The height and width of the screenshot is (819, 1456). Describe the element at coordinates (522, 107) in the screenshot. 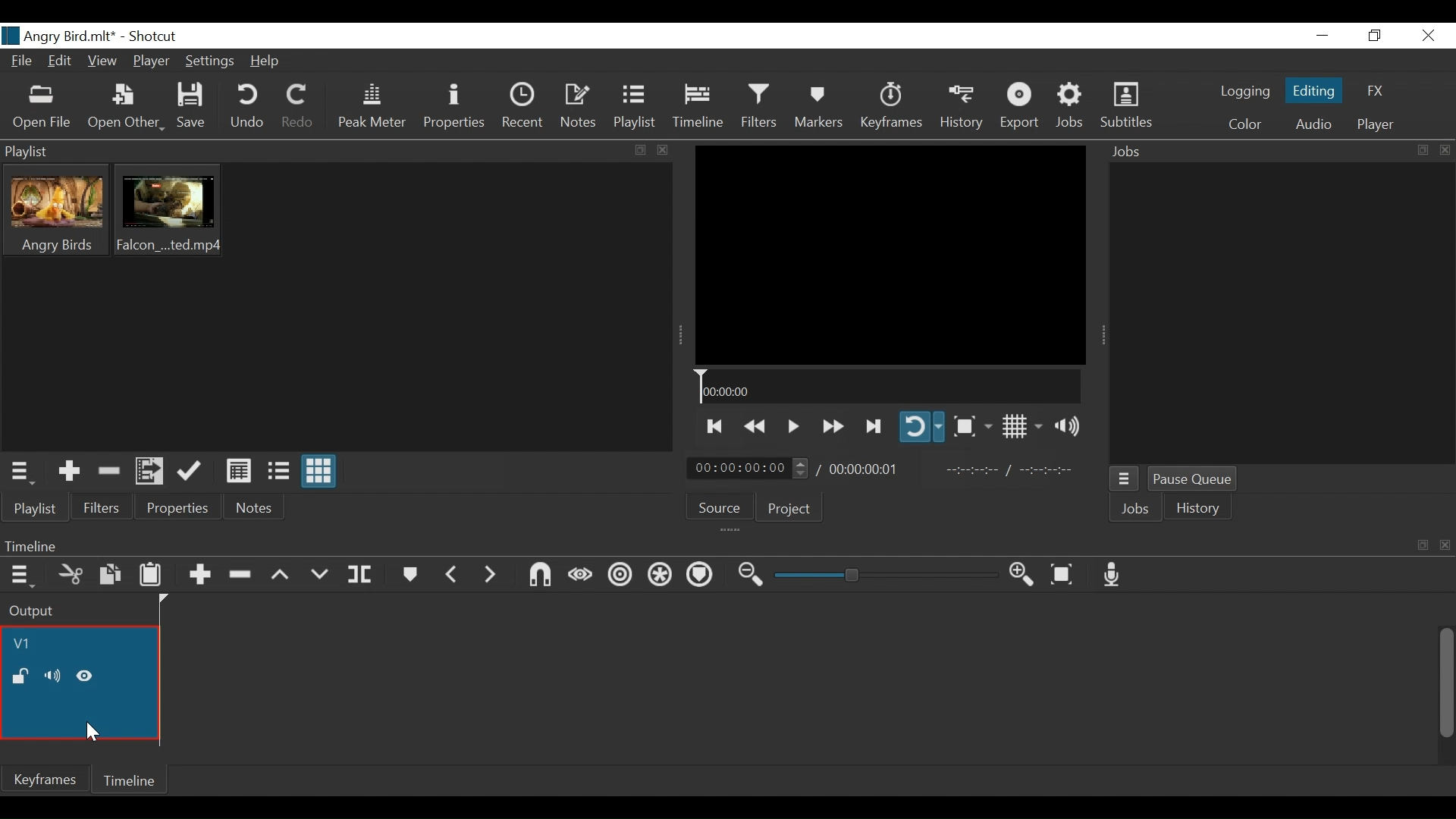

I see `` at that location.